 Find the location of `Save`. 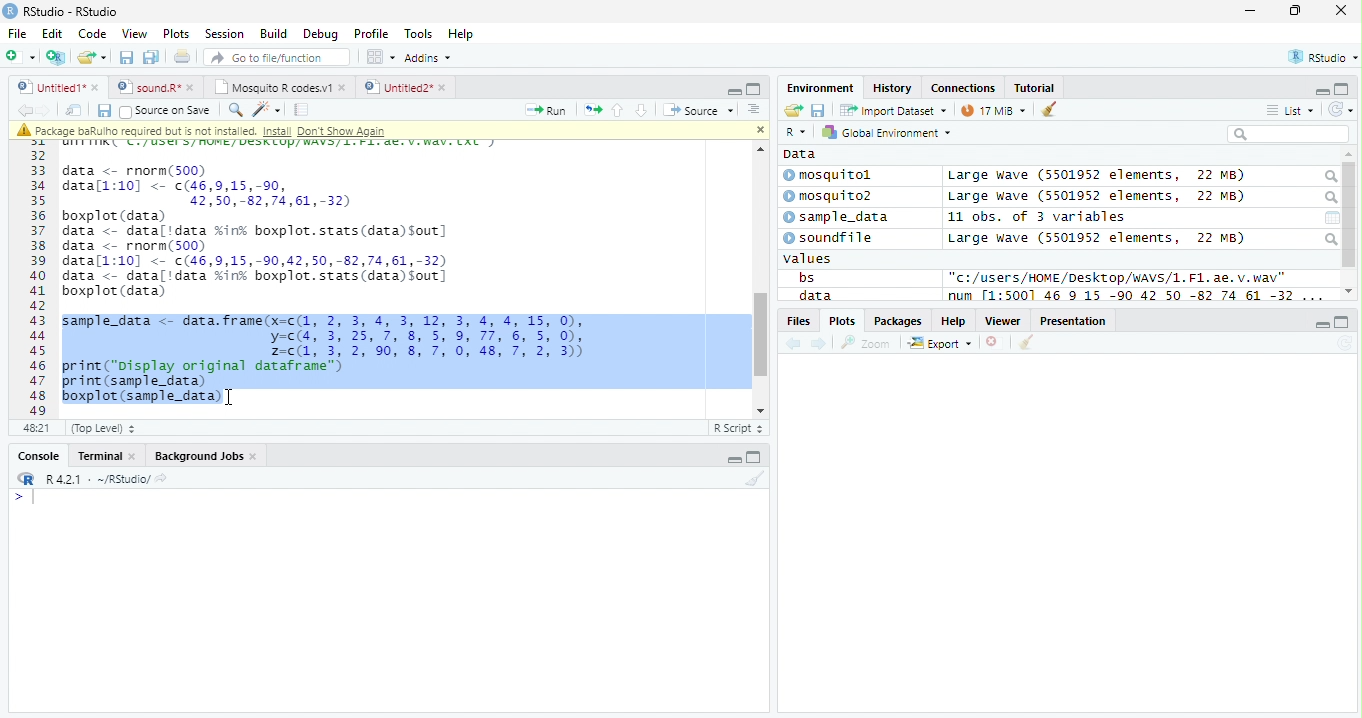

Save is located at coordinates (103, 111).